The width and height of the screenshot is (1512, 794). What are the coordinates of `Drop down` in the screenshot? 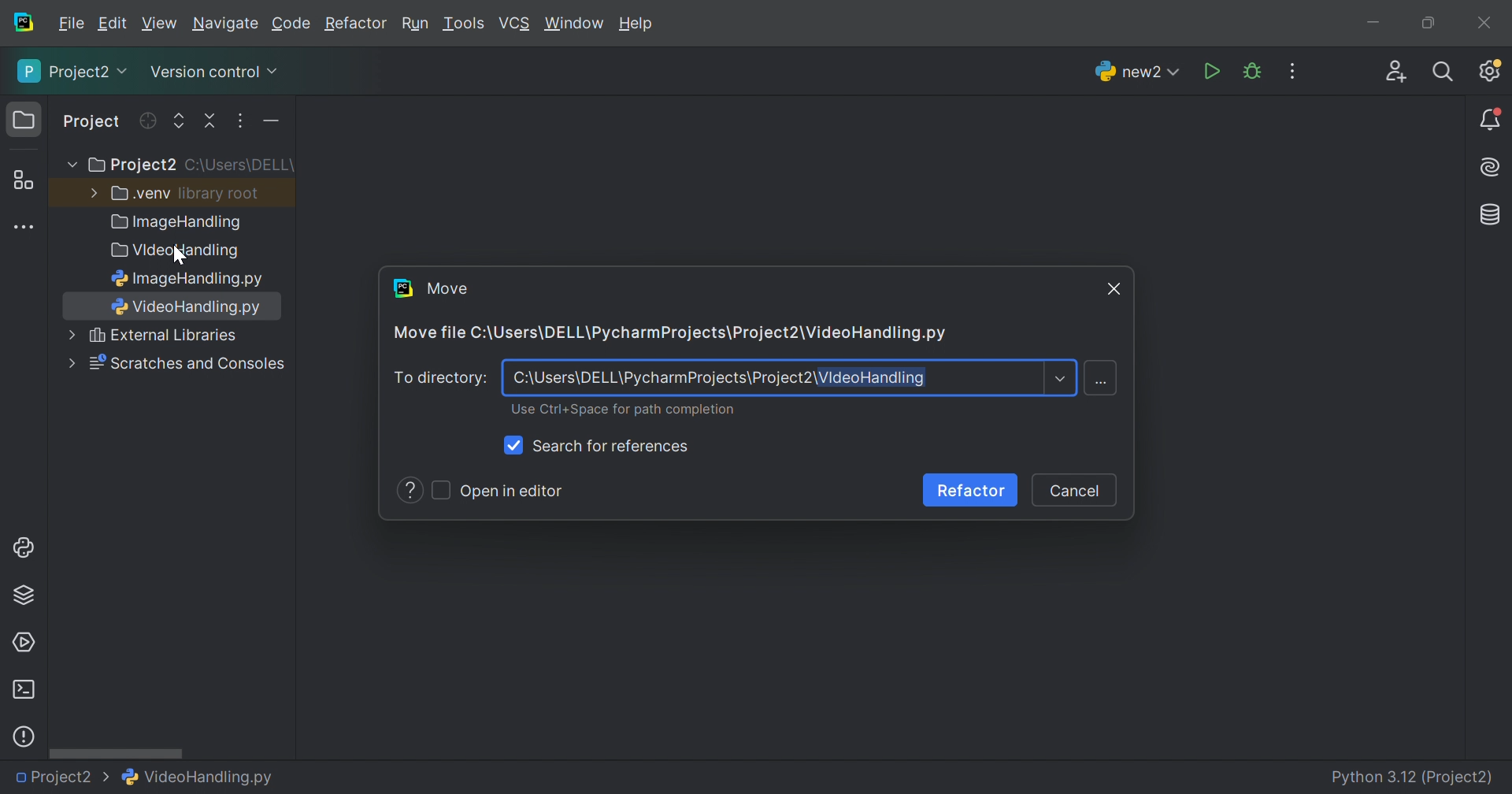 It's located at (1059, 380).